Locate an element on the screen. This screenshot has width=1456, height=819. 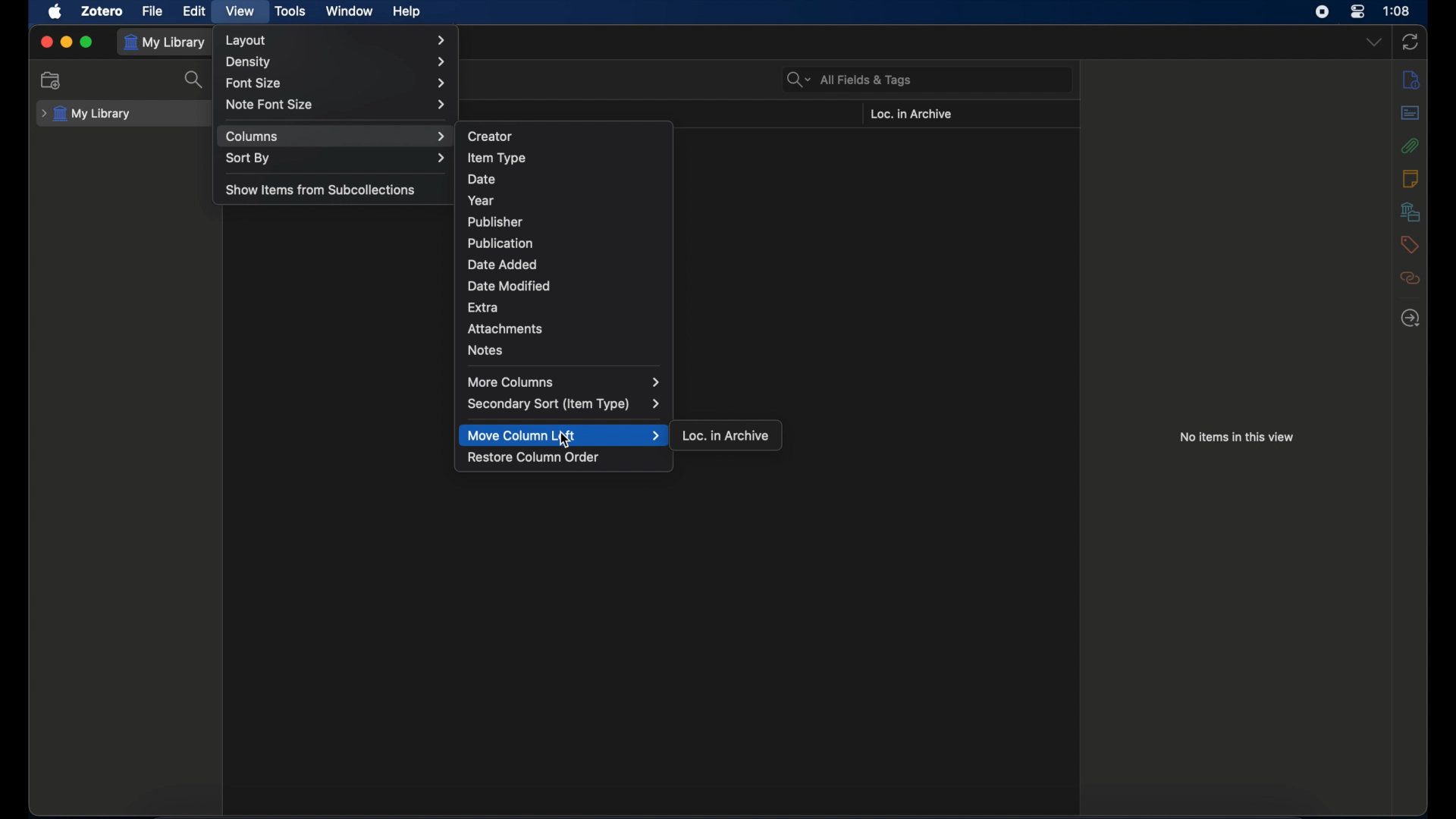
publisher is located at coordinates (496, 222).